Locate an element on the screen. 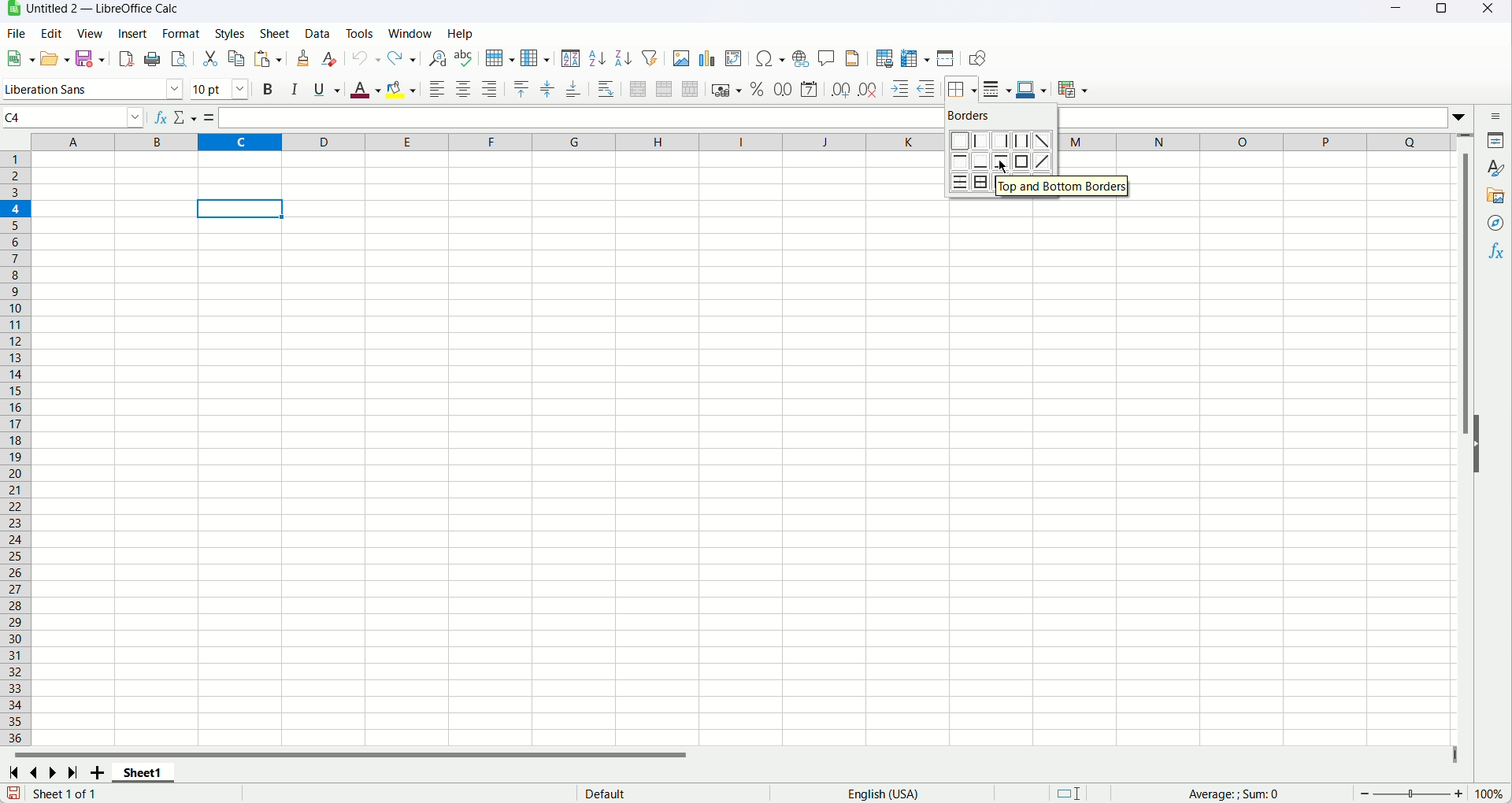 The width and height of the screenshot is (1512, 803). Insert hyperlink is located at coordinates (802, 57).